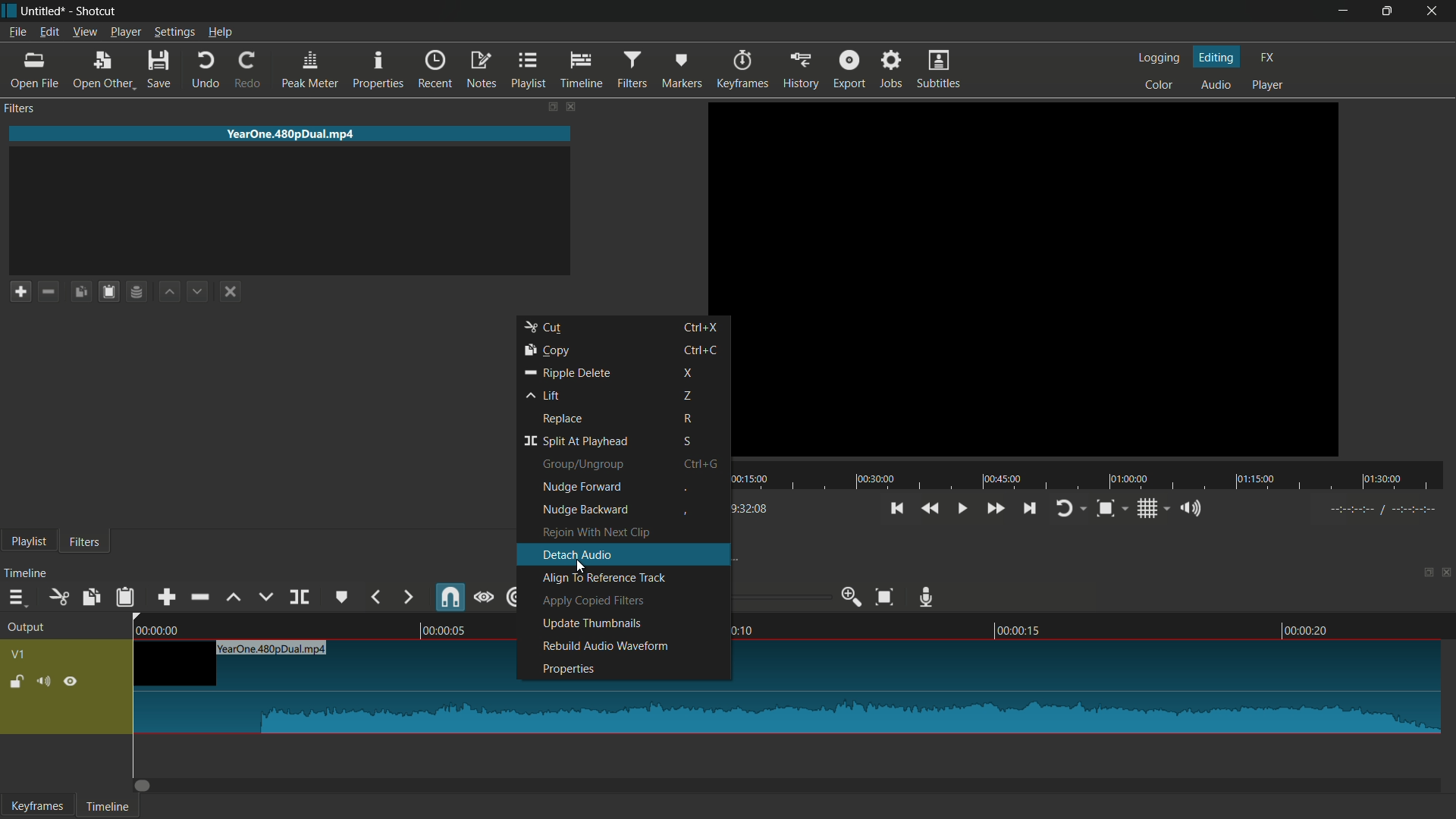 The image size is (1456, 819). Describe the element at coordinates (702, 328) in the screenshot. I see `keyboard shortcut` at that location.